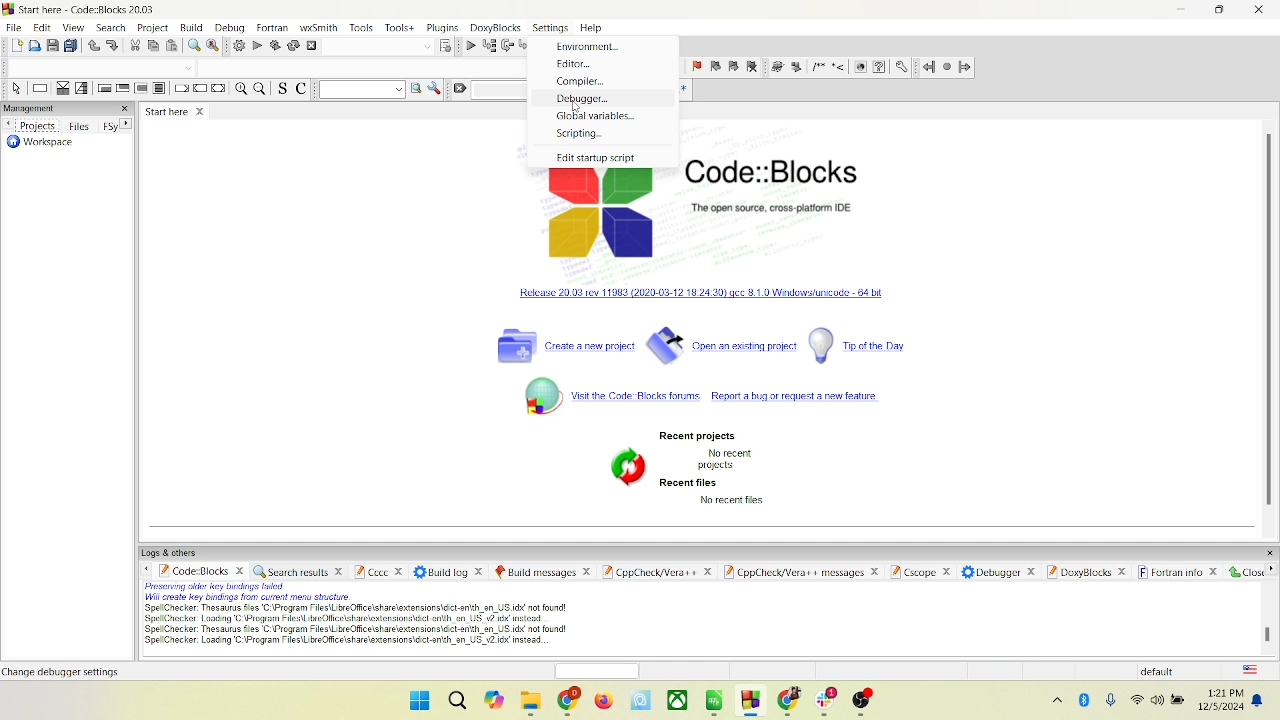 This screenshot has width=1280, height=720. Describe the element at coordinates (113, 45) in the screenshot. I see `redo` at that location.